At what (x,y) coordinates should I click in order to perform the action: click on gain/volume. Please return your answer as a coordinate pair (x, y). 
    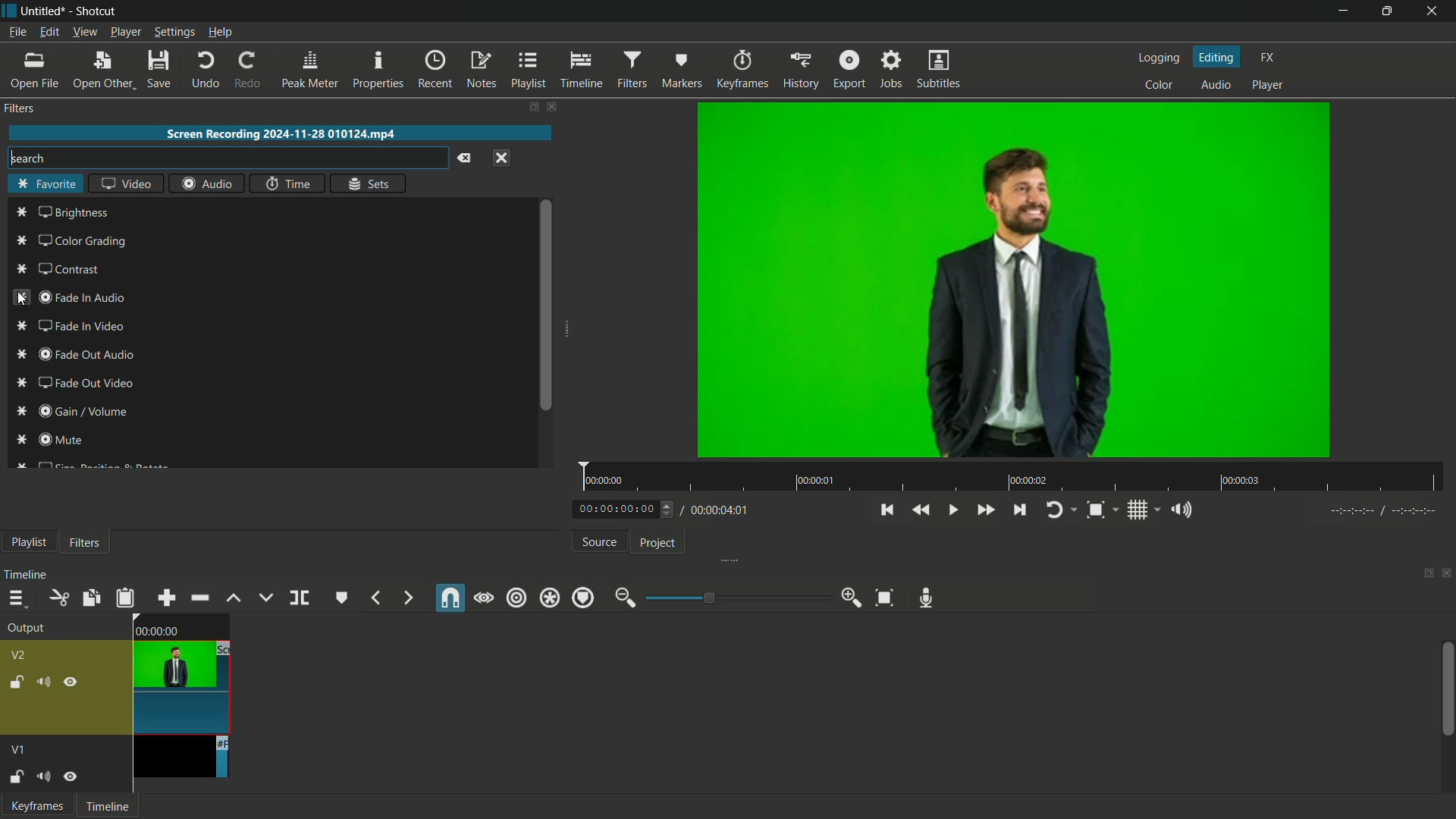
    Looking at the image, I should click on (72, 413).